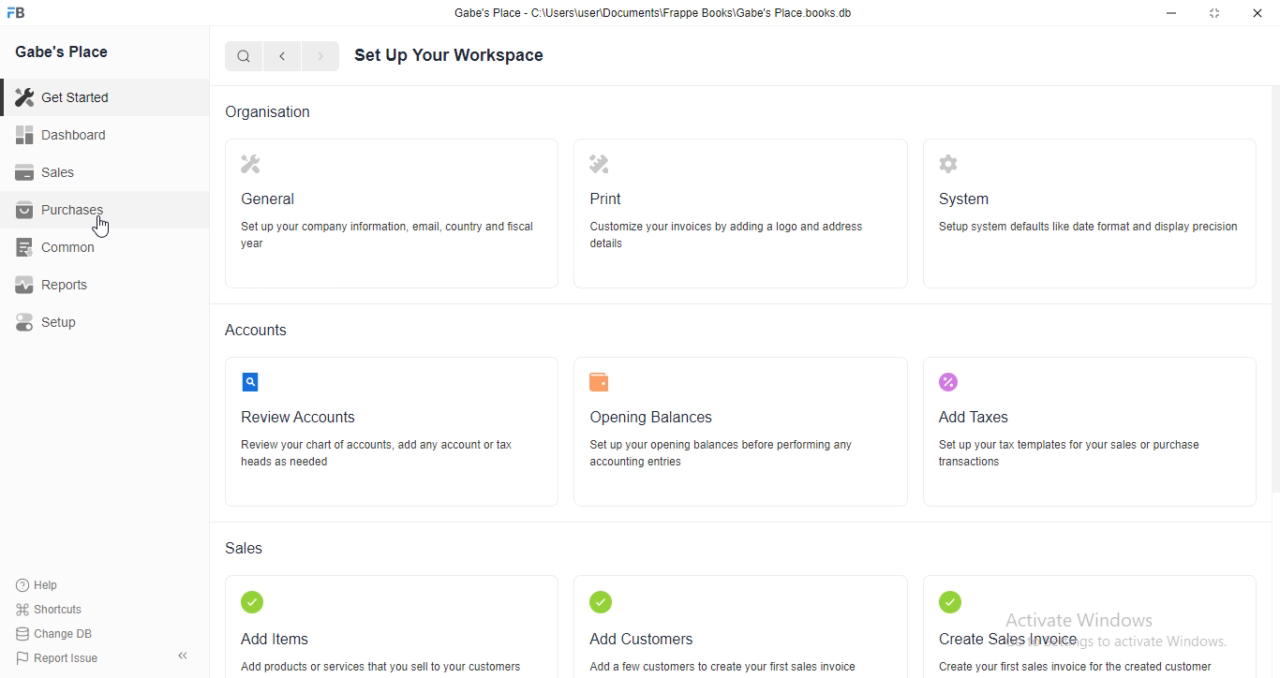 The width and height of the screenshot is (1280, 678). Describe the element at coordinates (1071, 662) in the screenshot. I see `Create your first sales invoice for the customer.` at that location.